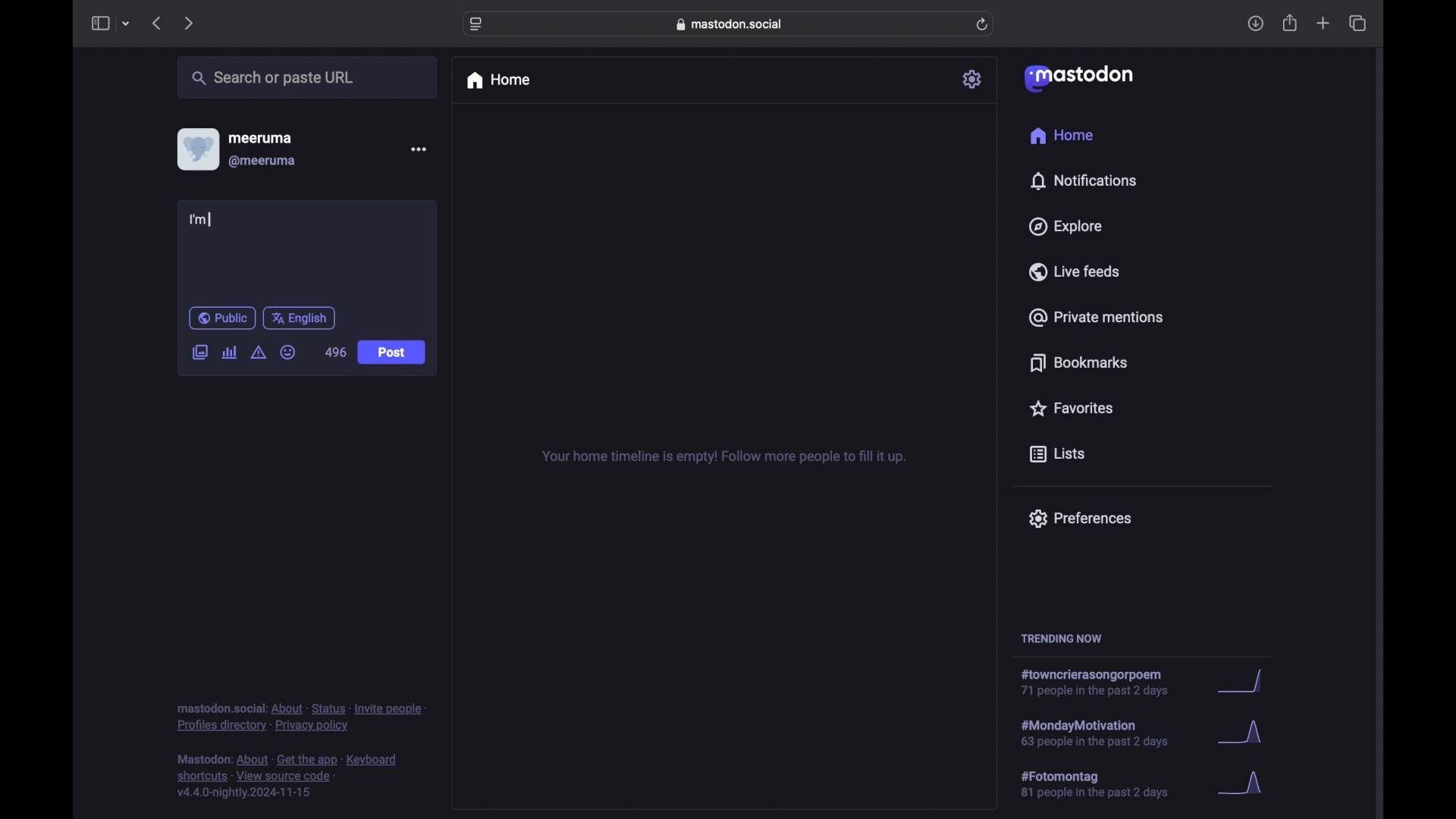 Image resolution: width=1456 pixels, height=819 pixels. I want to click on share or paste url, so click(273, 77).